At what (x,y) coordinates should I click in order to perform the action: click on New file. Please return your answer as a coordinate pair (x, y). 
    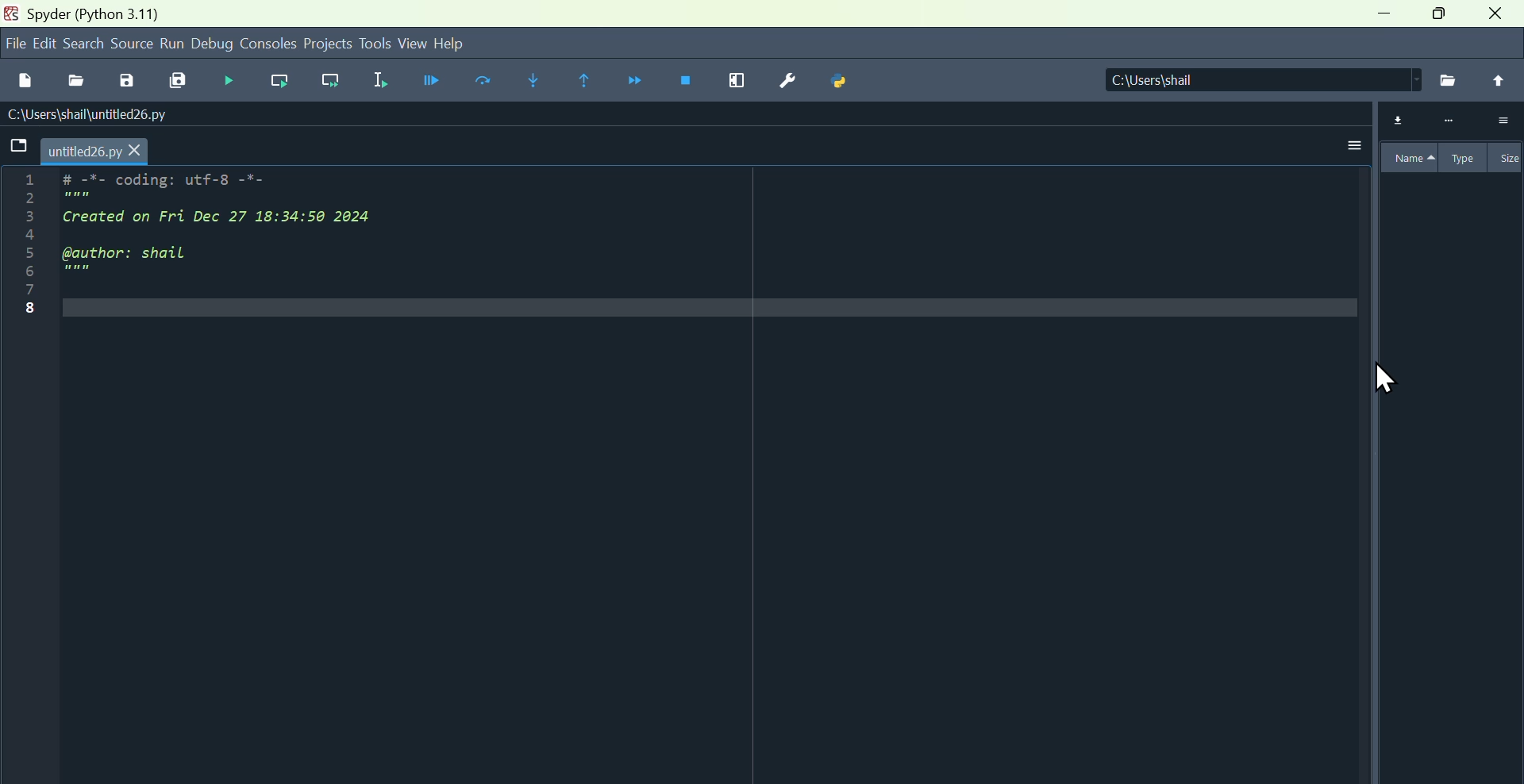
    Looking at the image, I should click on (25, 77).